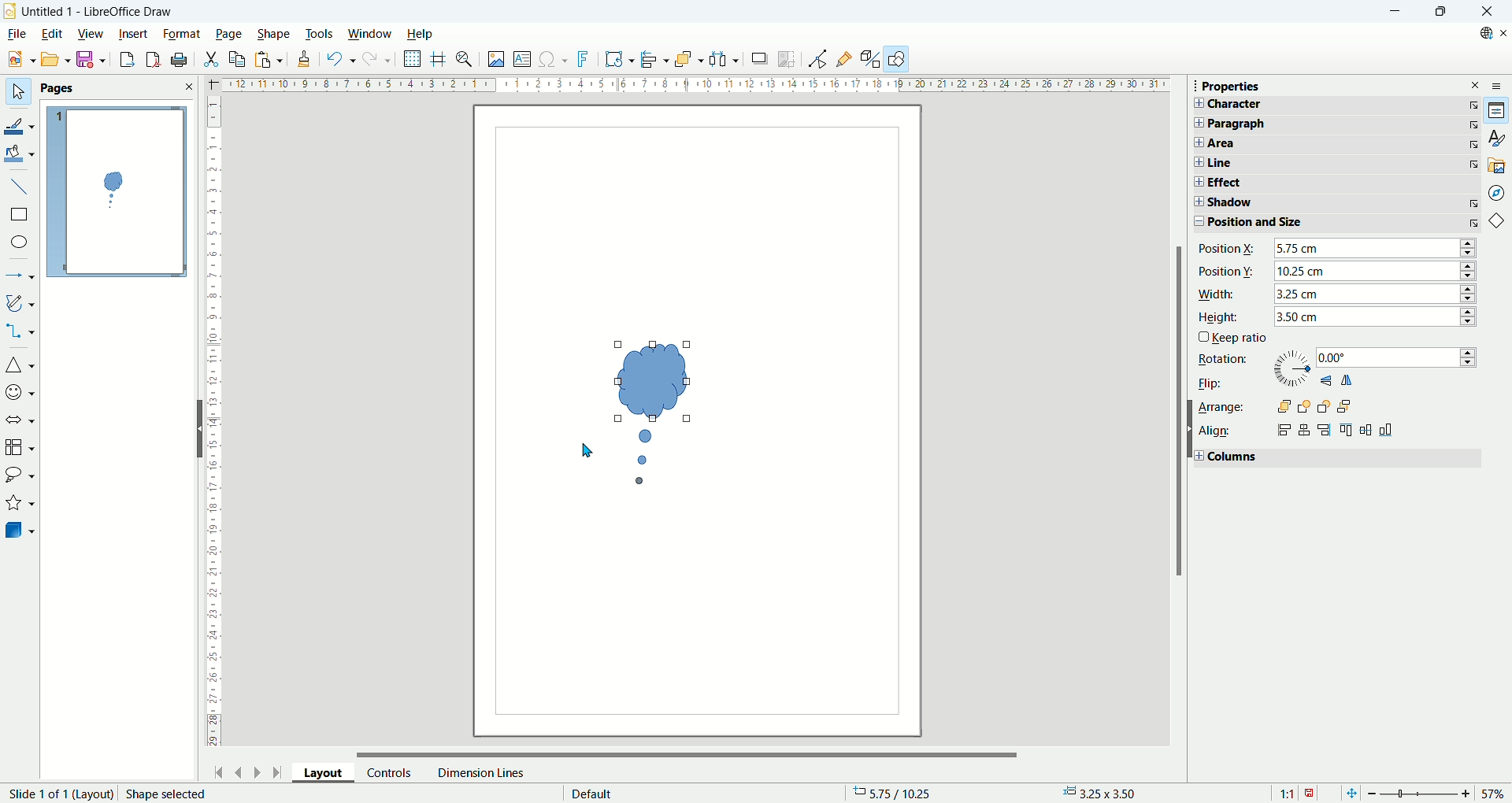  I want to click on lines and arrows, so click(20, 277).